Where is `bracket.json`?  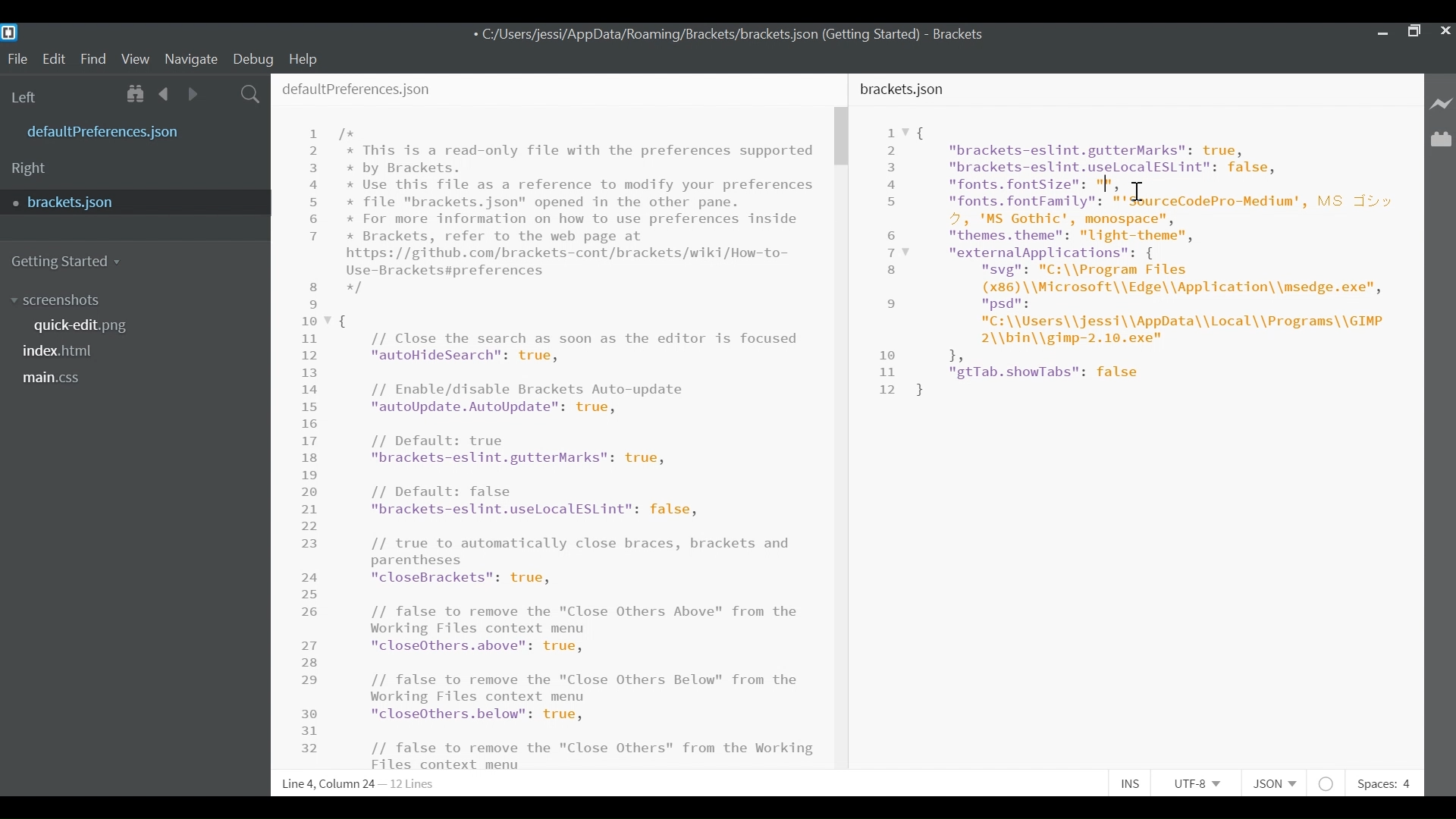
bracket.json is located at coordinates (130, 203).